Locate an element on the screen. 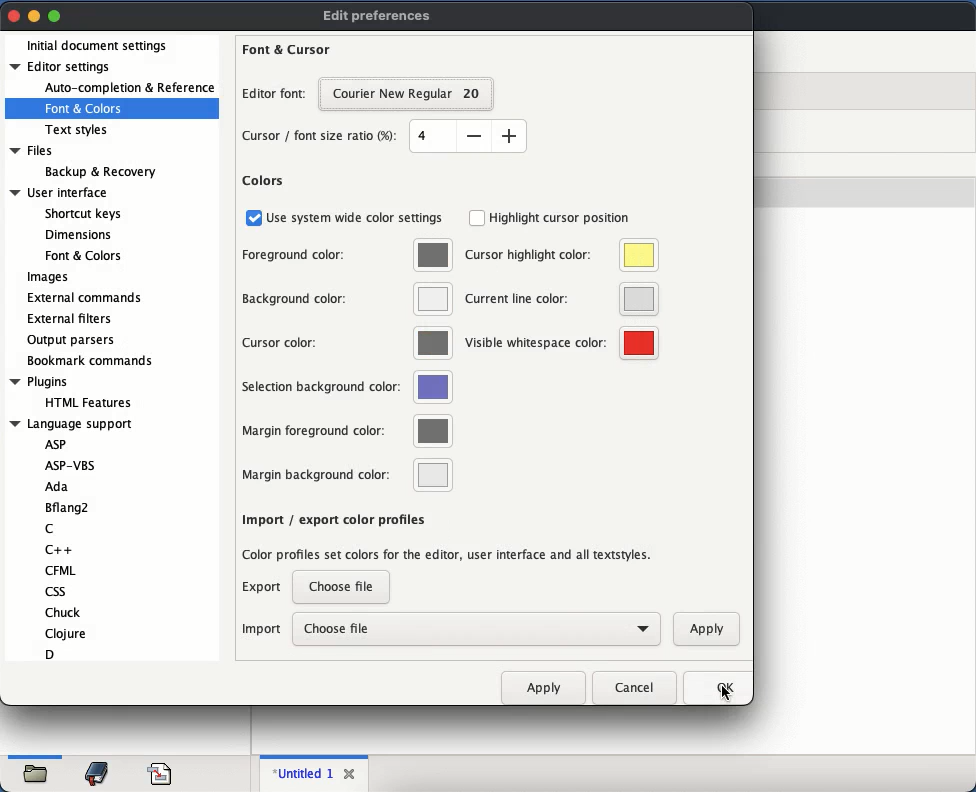 The width and height of the screenshot is (976, 792). Backup & Recovery is located at coordinates (99, 171).